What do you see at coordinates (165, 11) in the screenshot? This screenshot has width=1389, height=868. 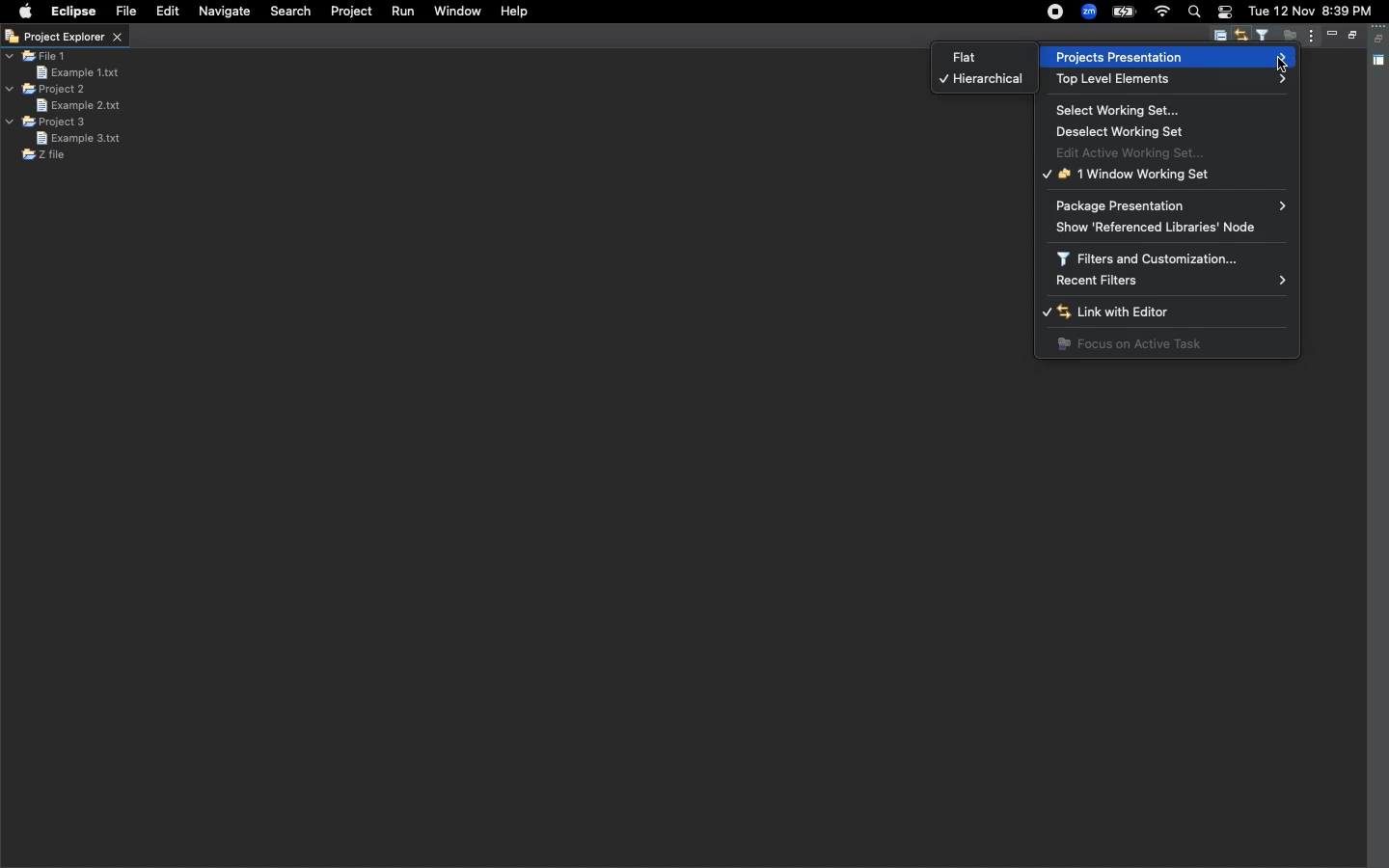 I see `Edit` at bounding box center [165, 11].